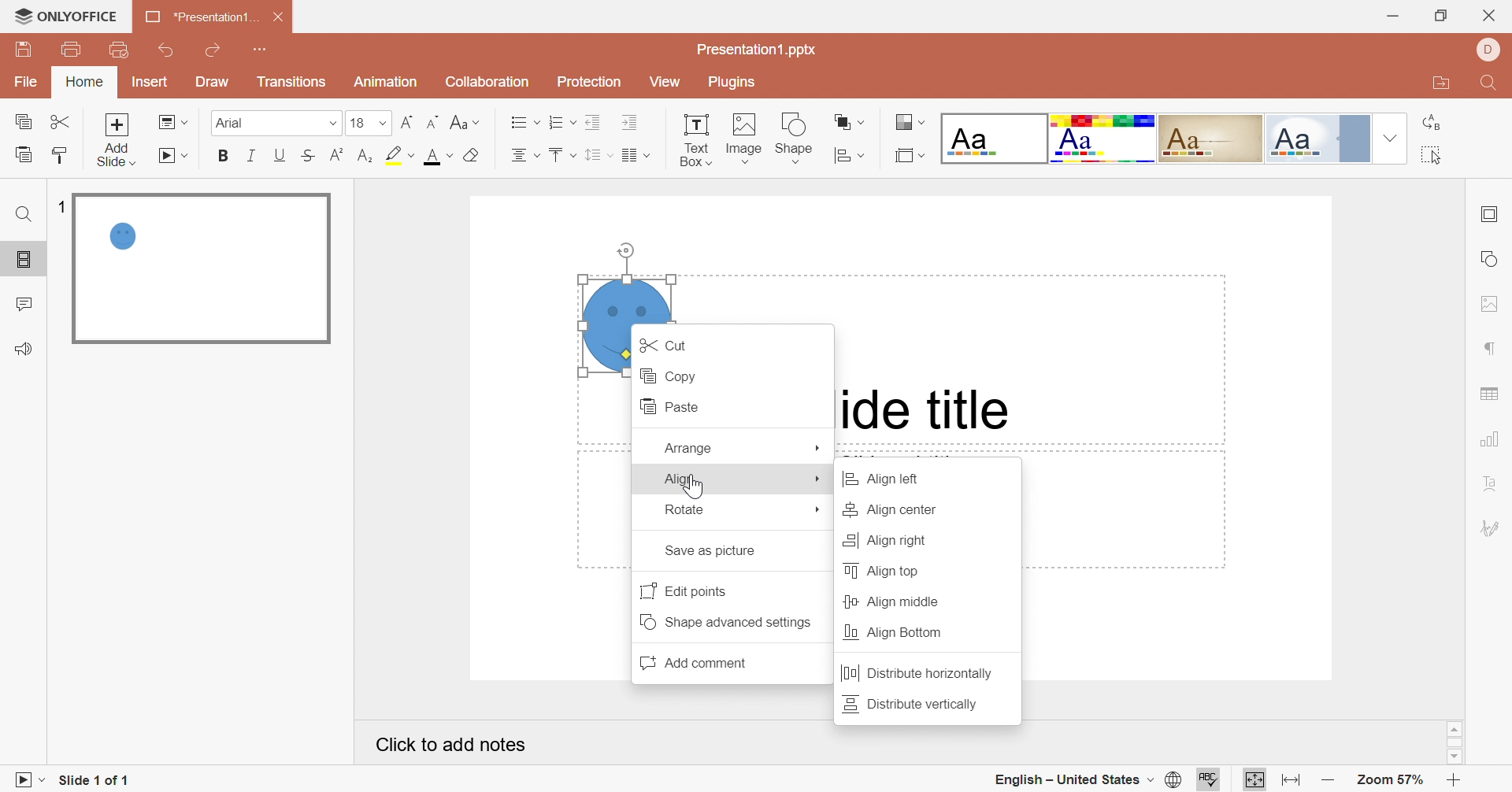  I want to click on Decrement font size, so click(431, 118).